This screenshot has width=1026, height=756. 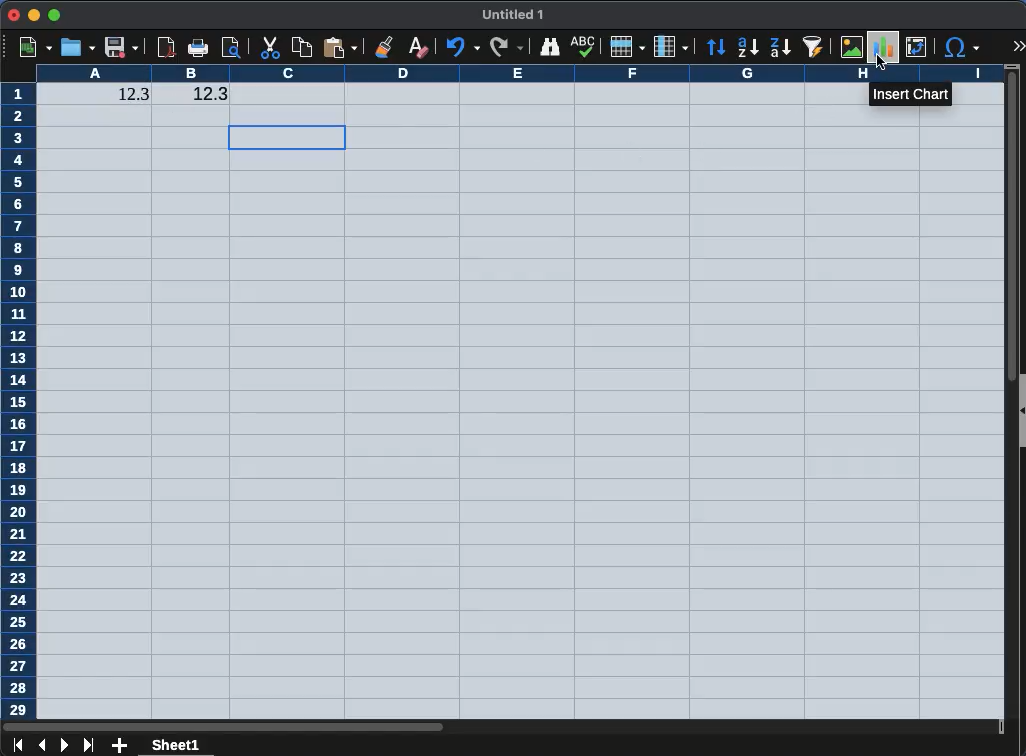 What do you see at coordinates (195, 94) in the screenshot?
I see `12.3` at bounding box center [195, 94].